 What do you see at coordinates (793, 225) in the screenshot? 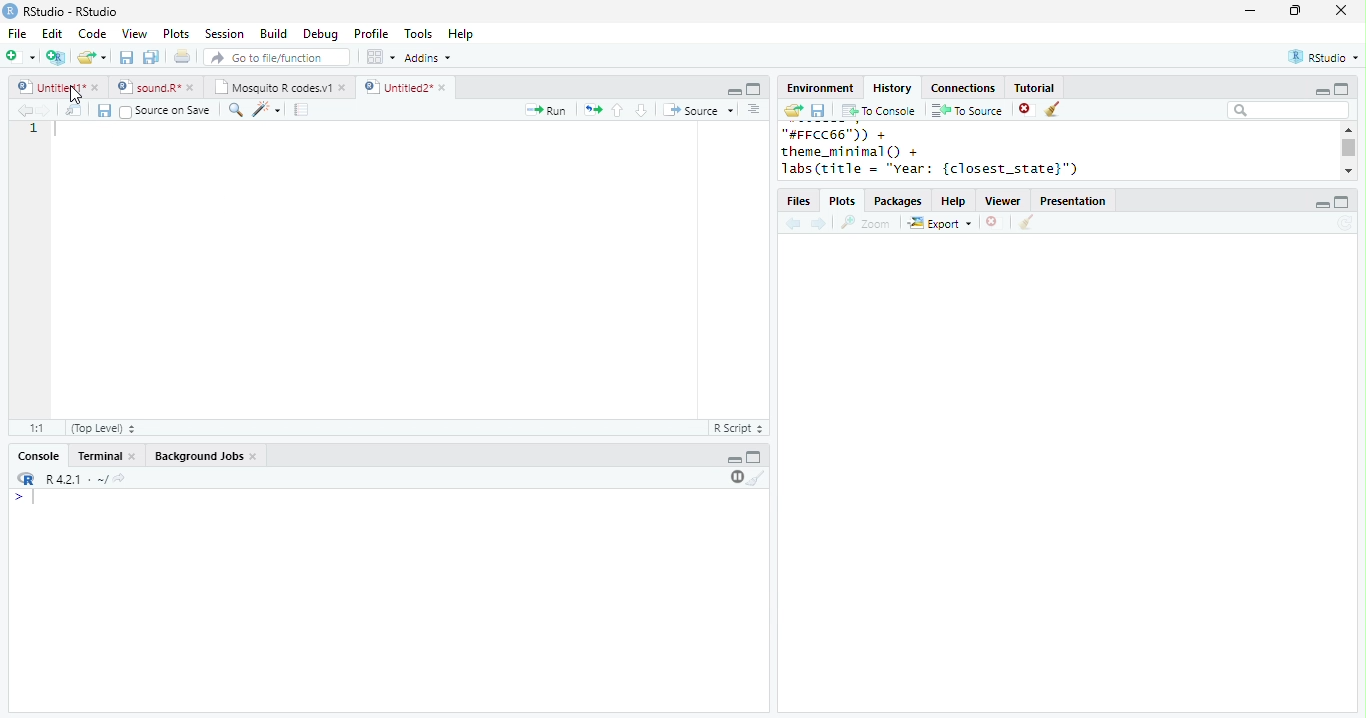
I see `back` at bounding box center [793, 225].